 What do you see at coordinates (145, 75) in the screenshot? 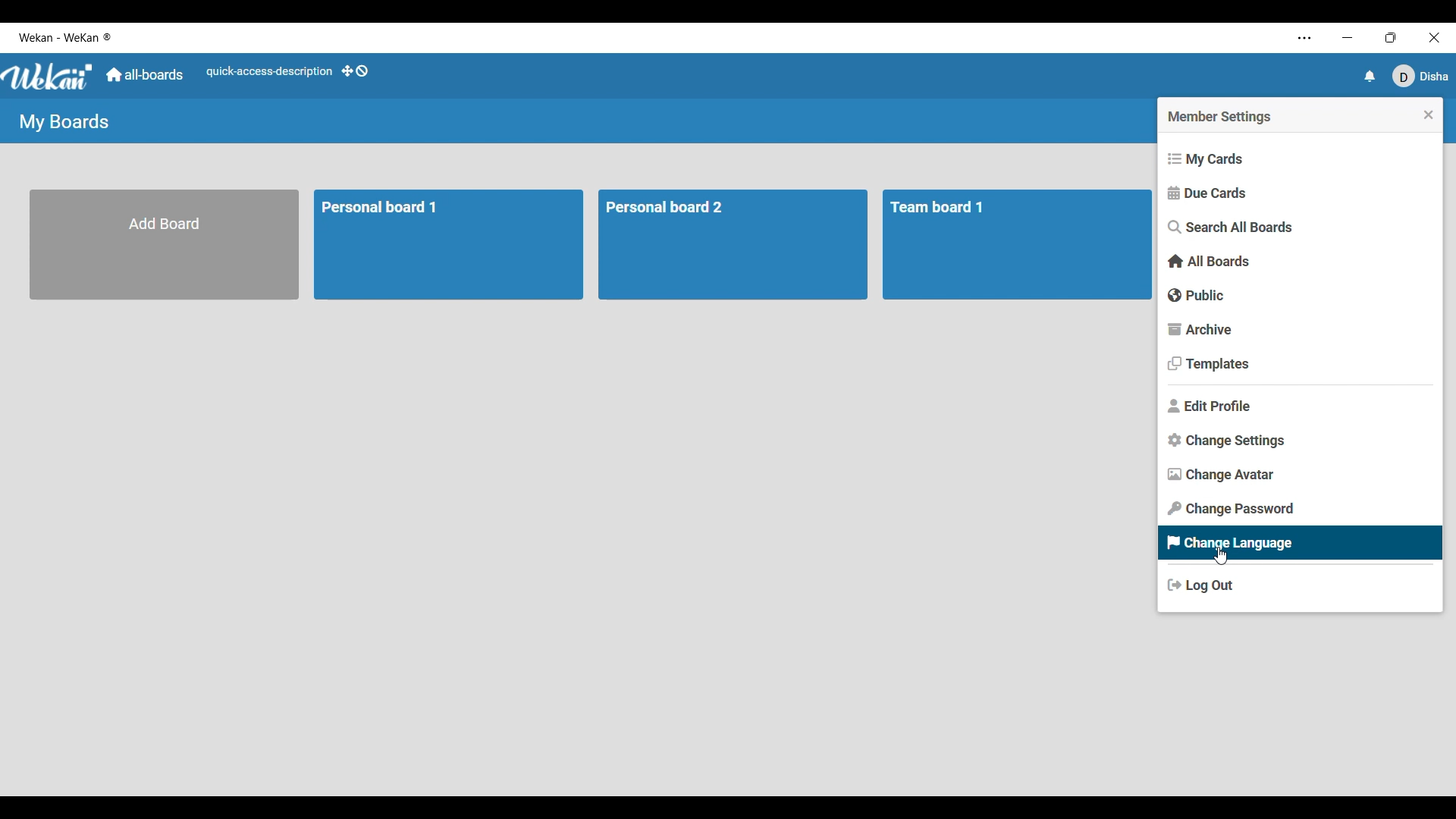
I see `all-boards` at bounding box center [145, 75].